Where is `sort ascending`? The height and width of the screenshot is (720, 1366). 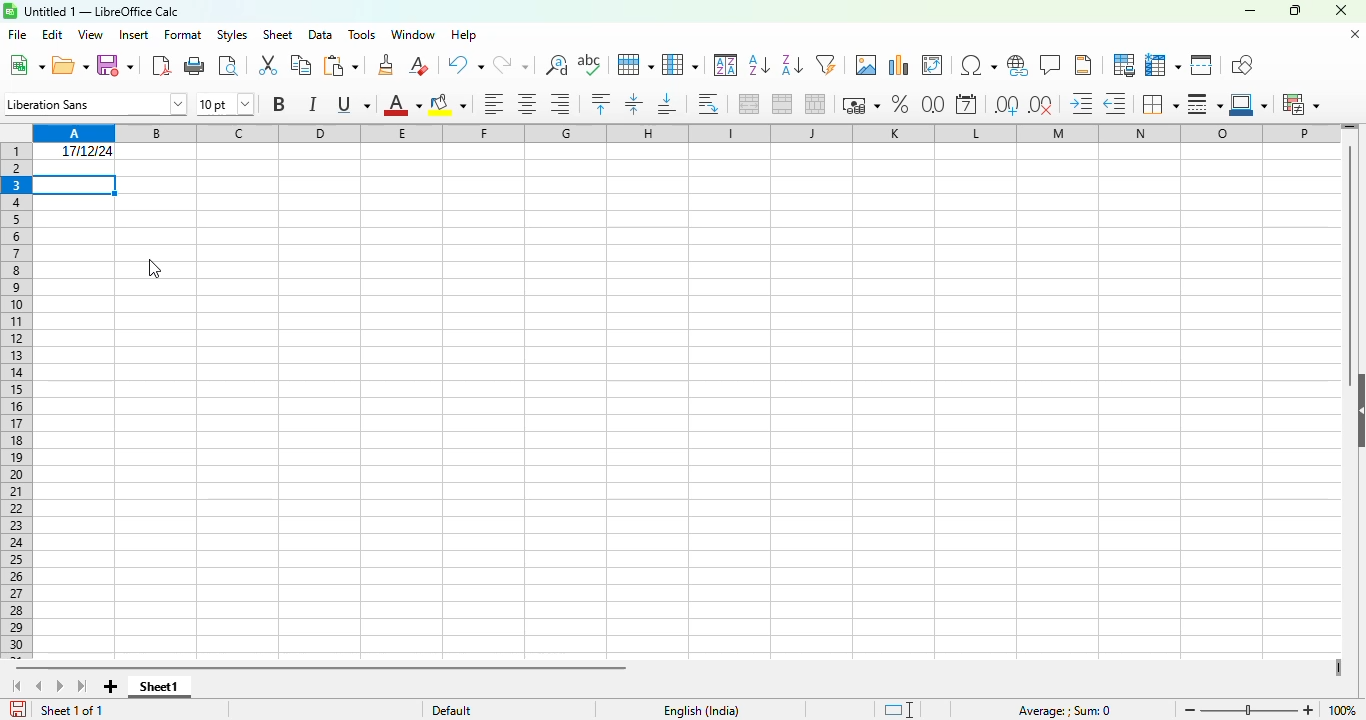
sort ascending is located at coordinates (759, 66).